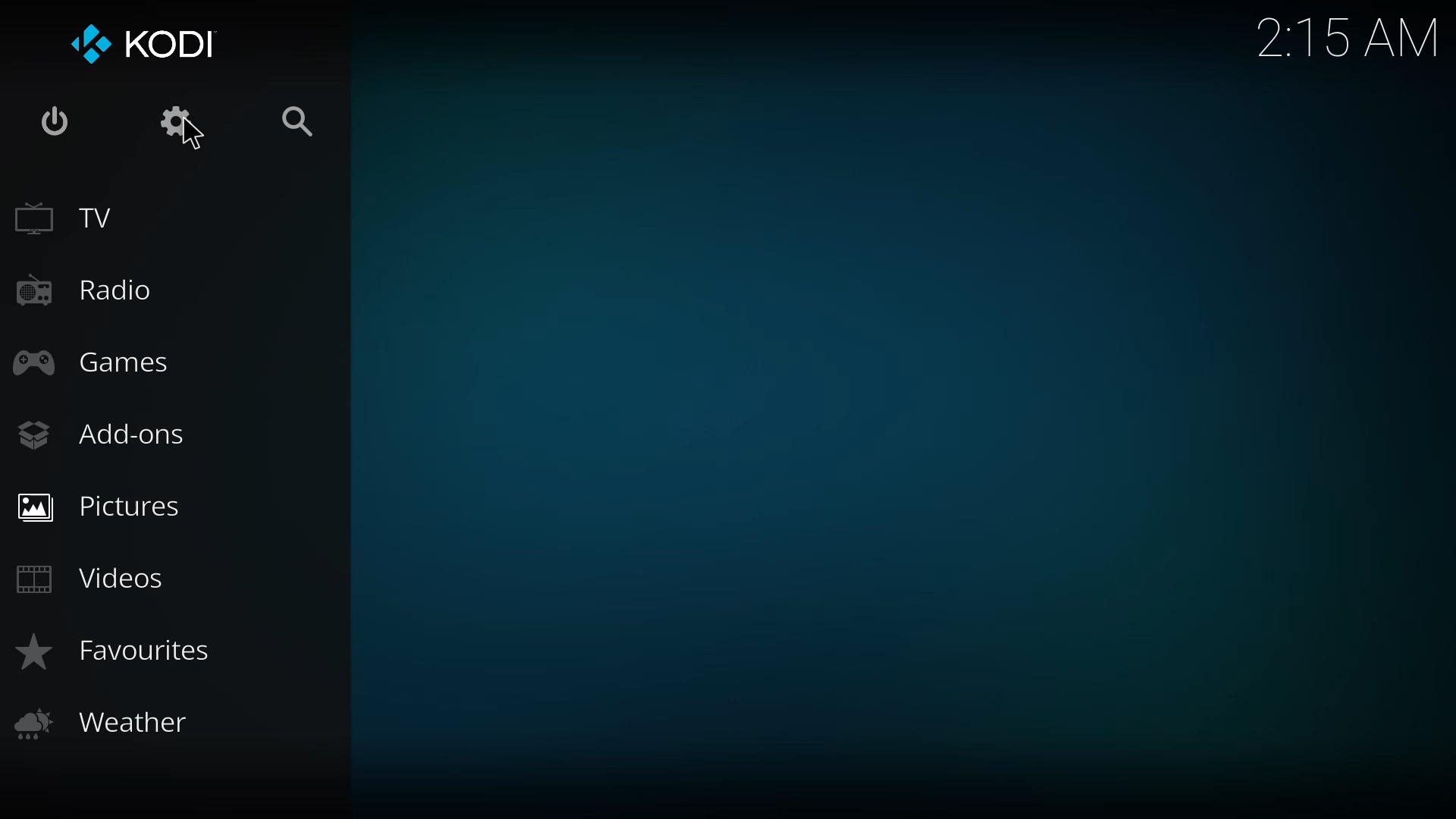  What do you see at coordinates (100, 362) in the screenshot?
I see `games` at bounding box center [100, 362].